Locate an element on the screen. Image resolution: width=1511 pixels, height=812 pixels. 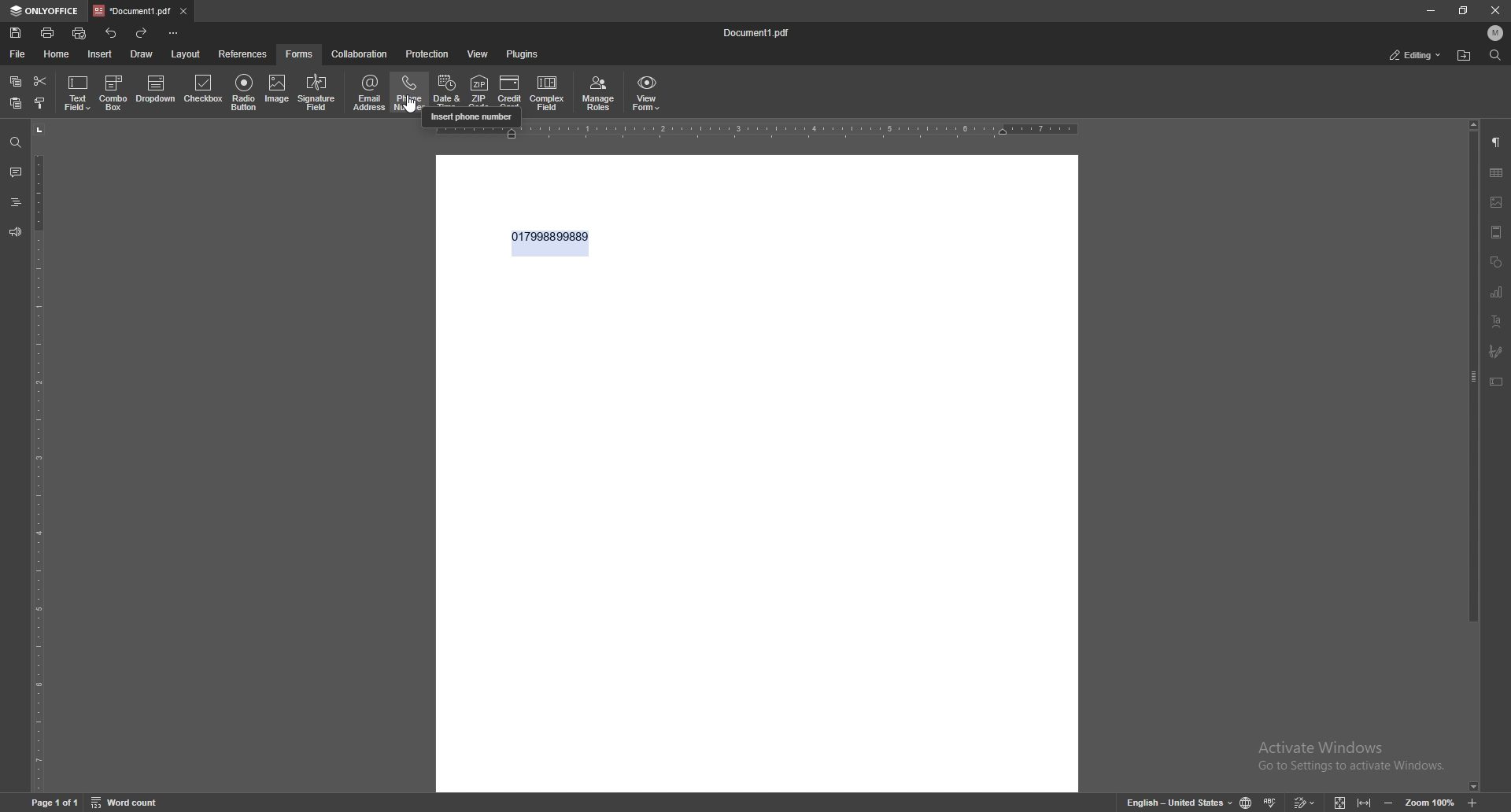
English- United States is located at coordinates (1180, 802).